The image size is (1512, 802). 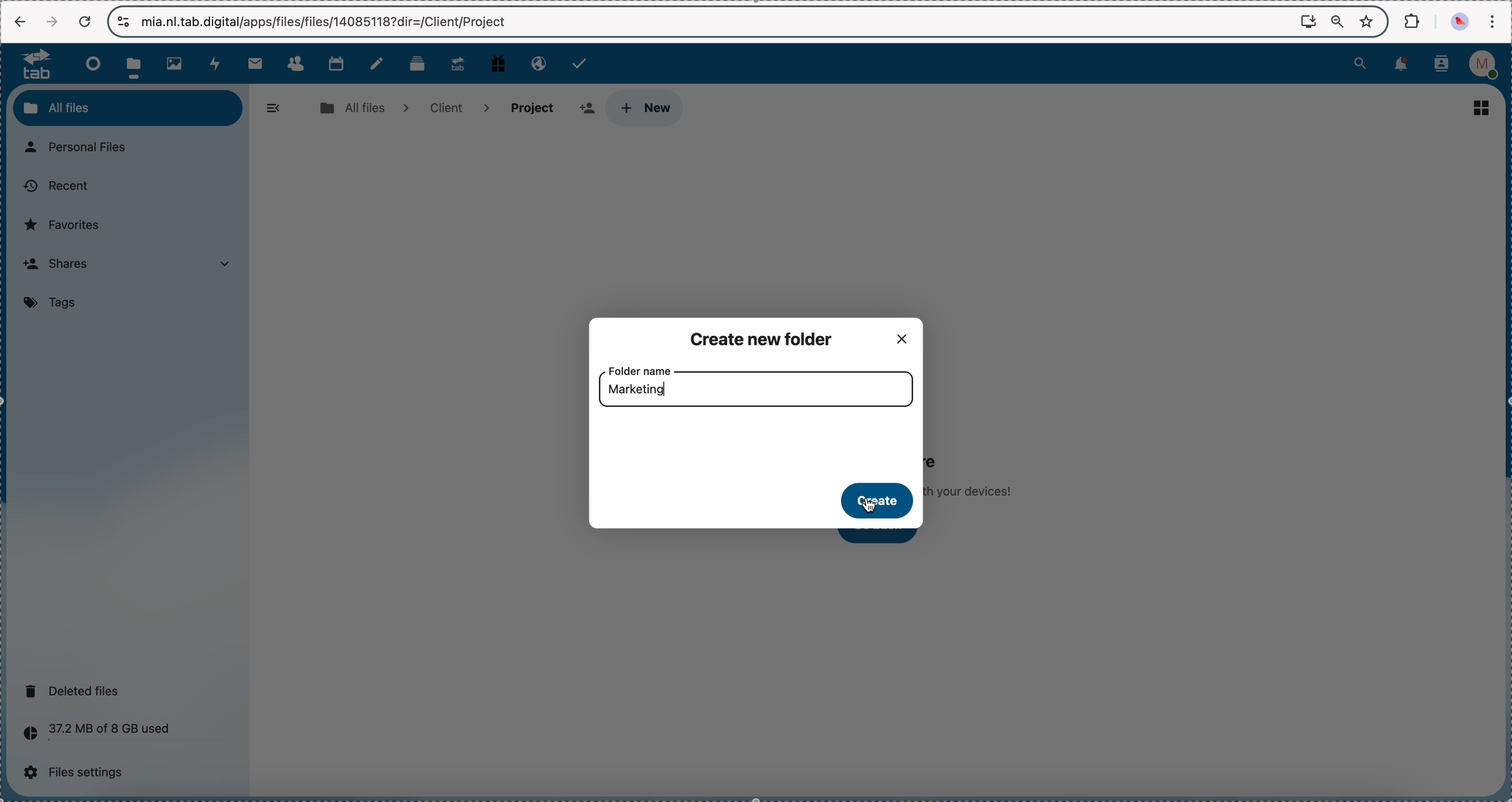 I want to click on click on create button, so click(x=877, y=500).